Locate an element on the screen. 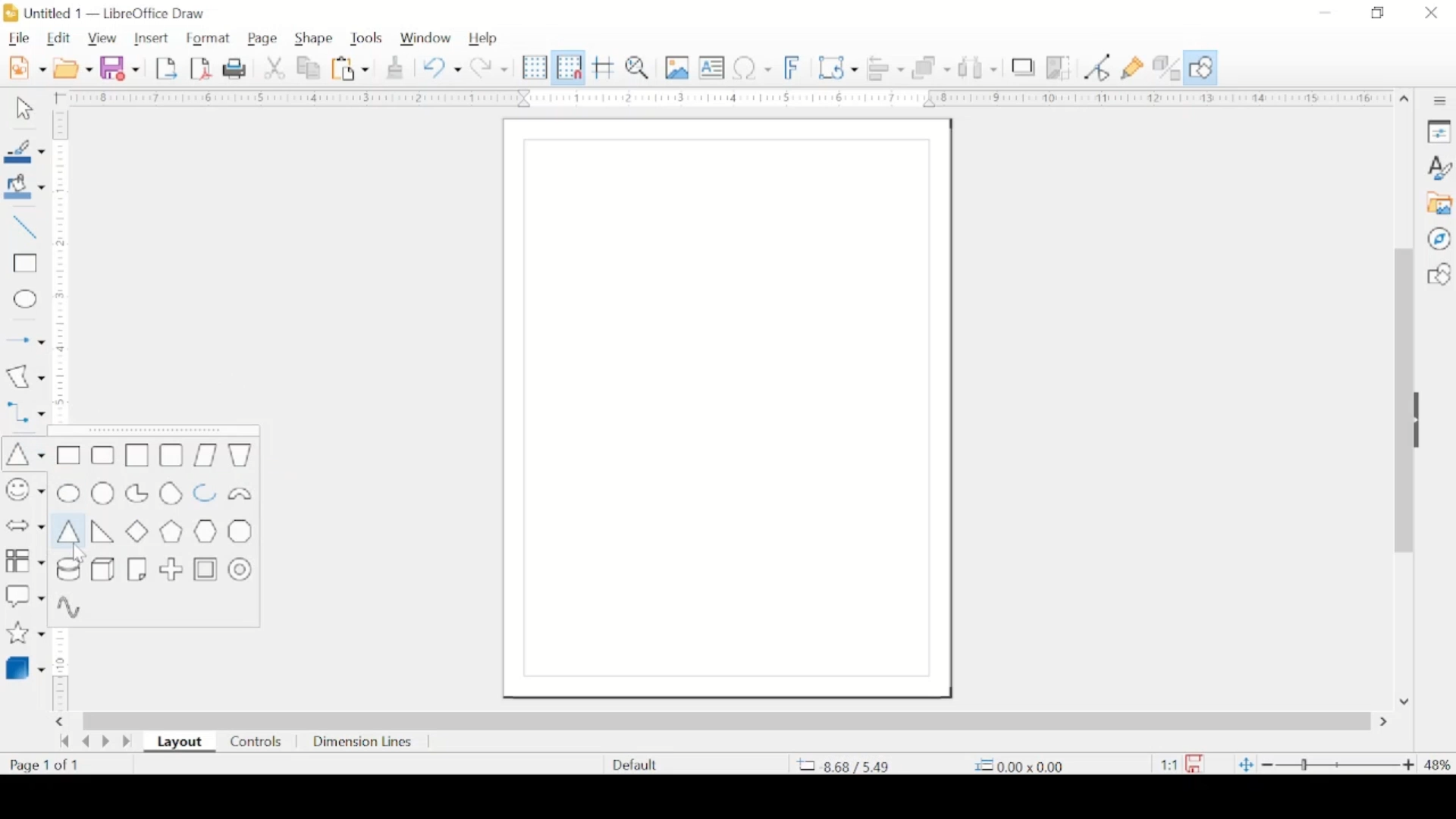 This screenshot has height=819, width=1456. shadow is located at coordinates (1025, 67).